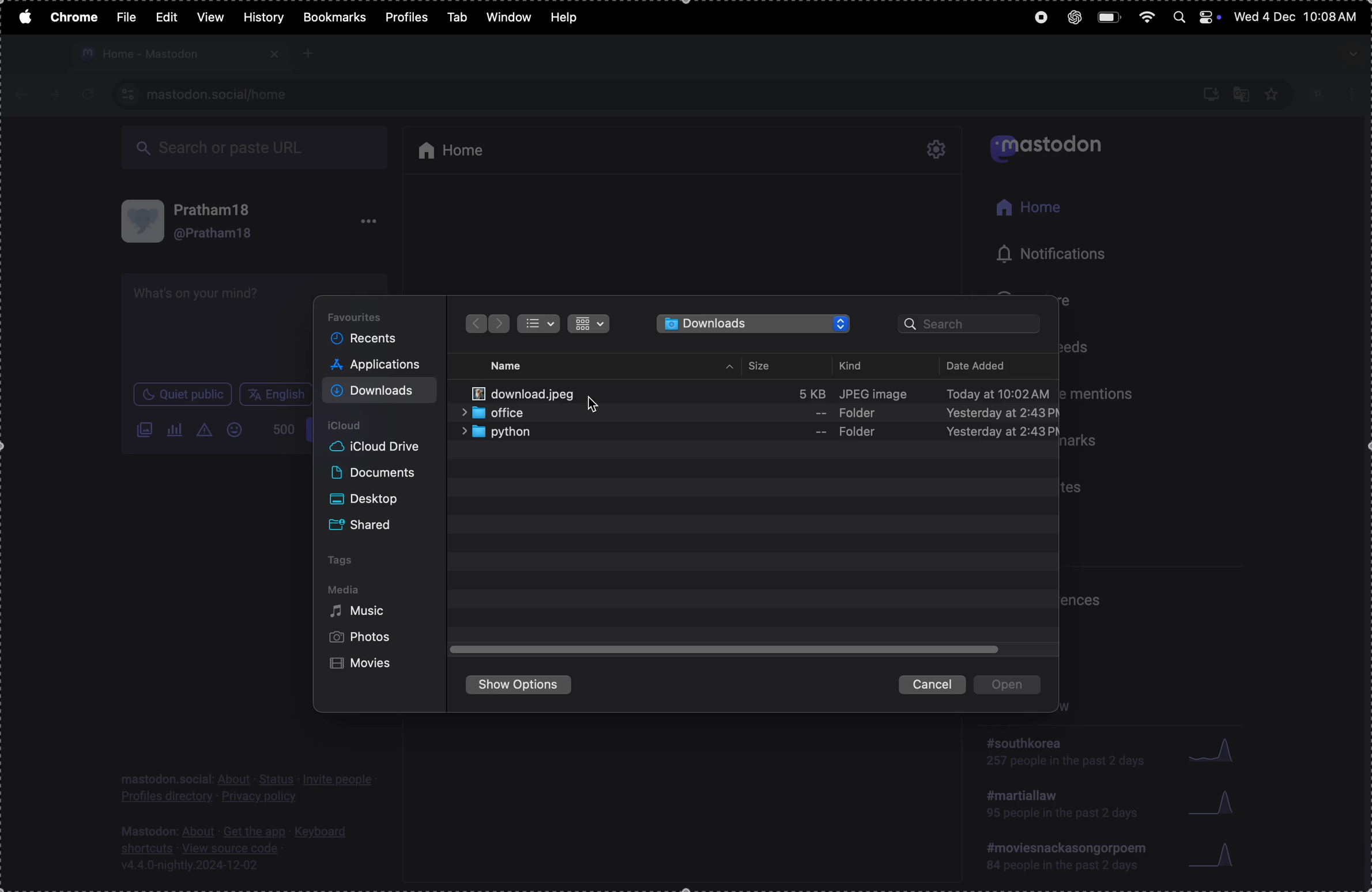 Image resolution: width=1372 pixels, height=892 pixels. Describe the element at coordinates (991, 364) in the screenshot. I see `date added` at that location.